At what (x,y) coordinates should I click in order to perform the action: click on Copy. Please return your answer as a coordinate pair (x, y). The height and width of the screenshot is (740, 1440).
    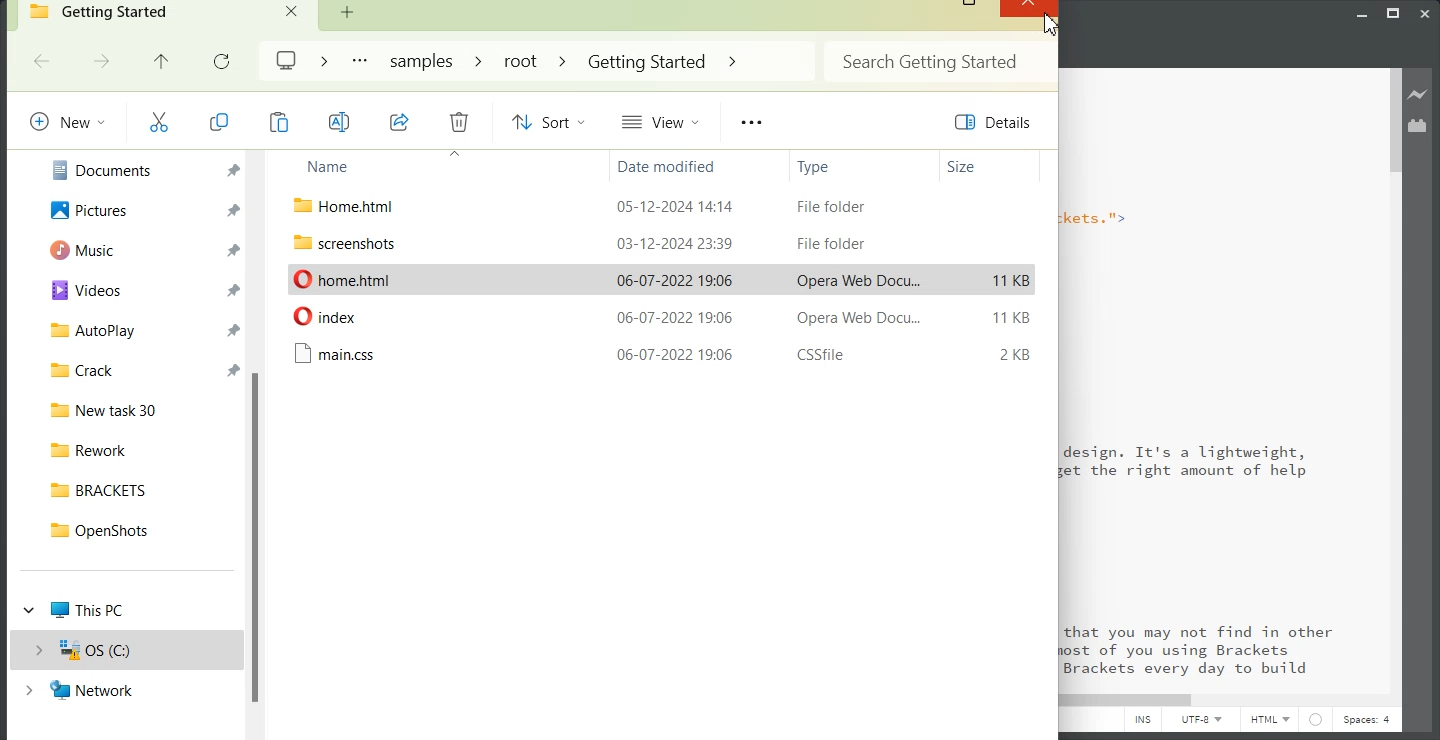
    Looking at the image, I should click on (218, 122).